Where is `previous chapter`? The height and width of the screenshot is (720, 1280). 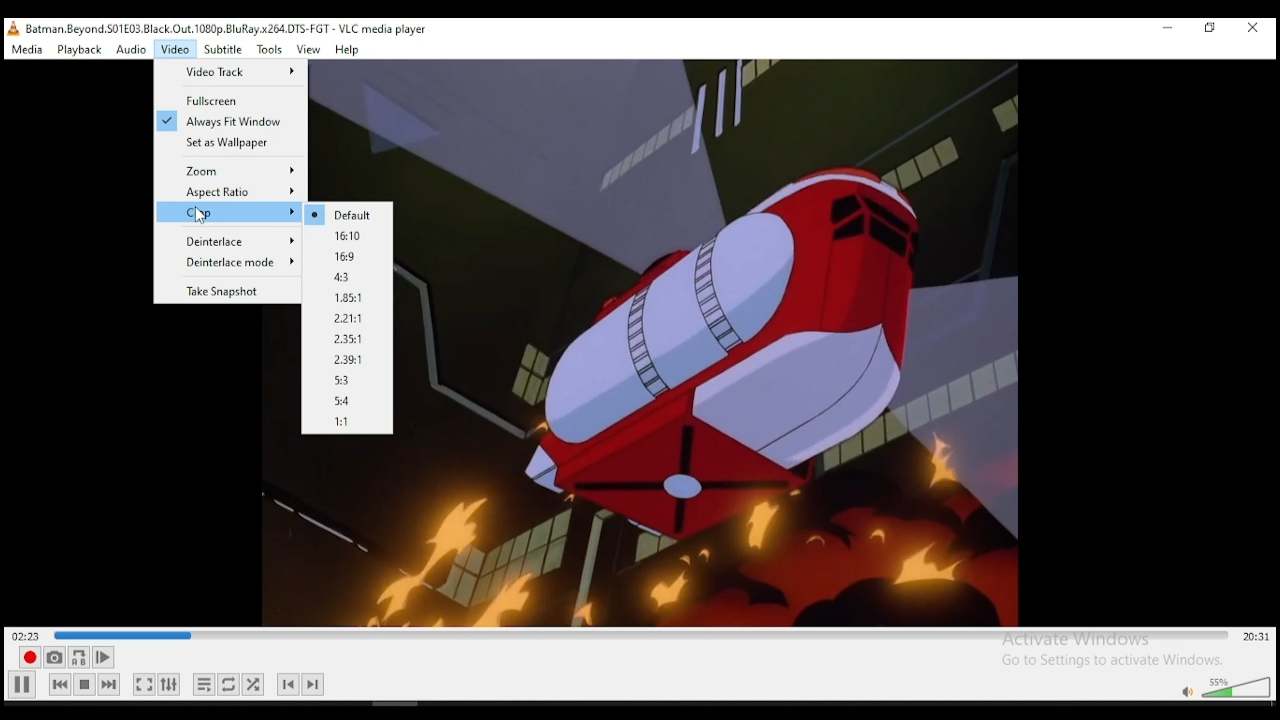
previous chapter is located at coordinates (288, 684).